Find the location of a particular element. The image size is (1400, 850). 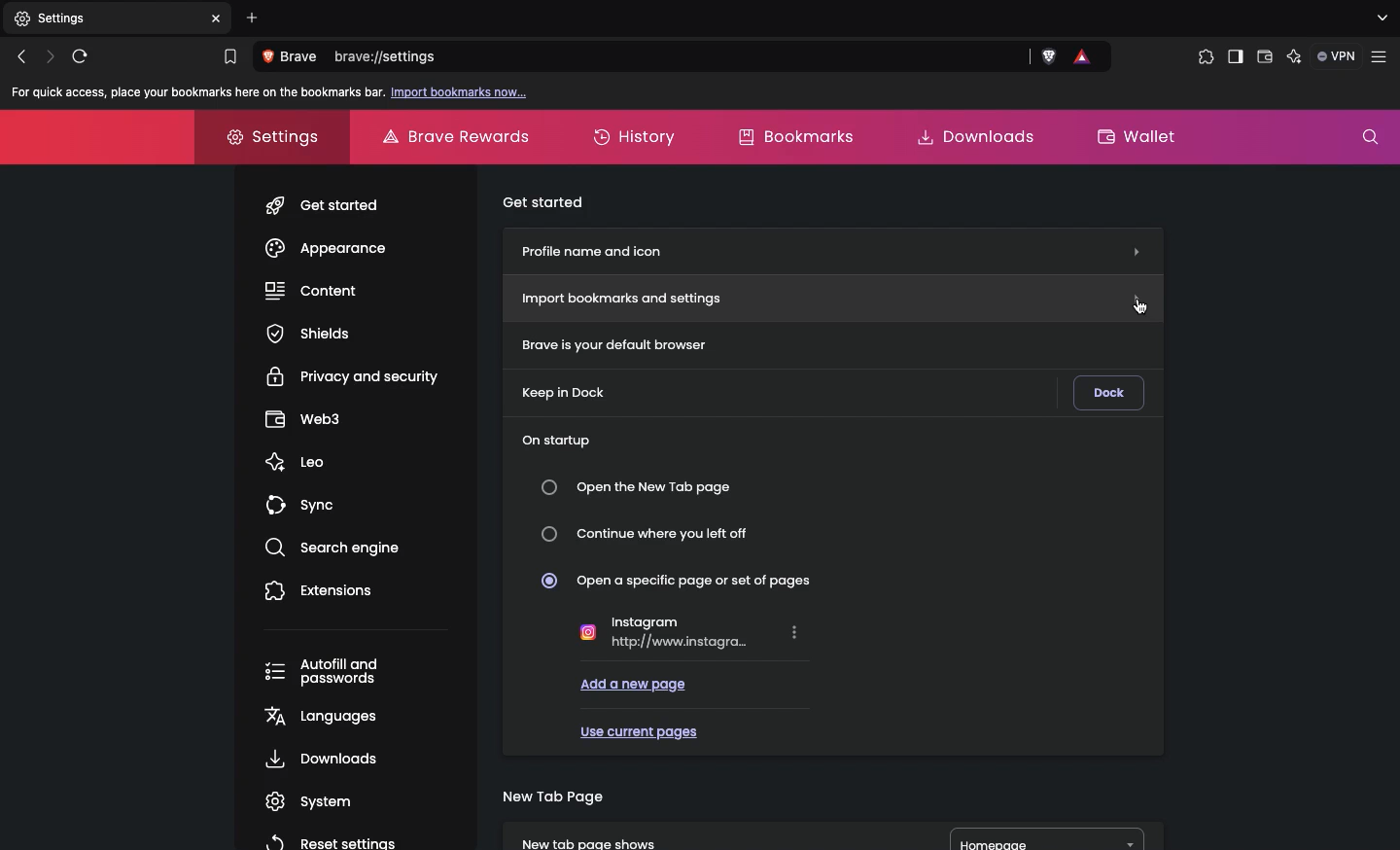

Autofill and passwords is located at coordinates (330, 673).